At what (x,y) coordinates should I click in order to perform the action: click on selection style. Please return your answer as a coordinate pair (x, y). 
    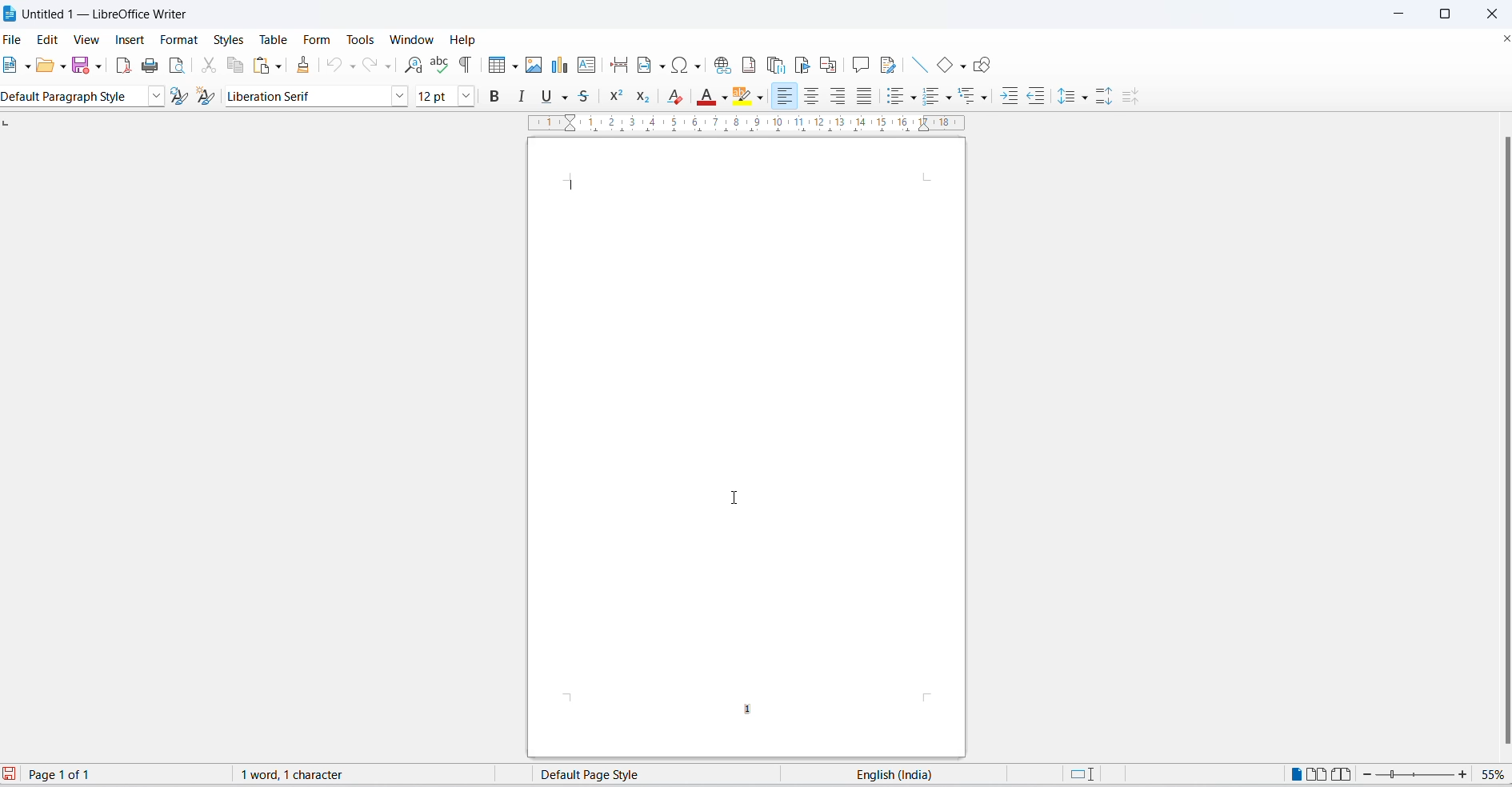
    Looking at the image, I should click on (1079, 773).